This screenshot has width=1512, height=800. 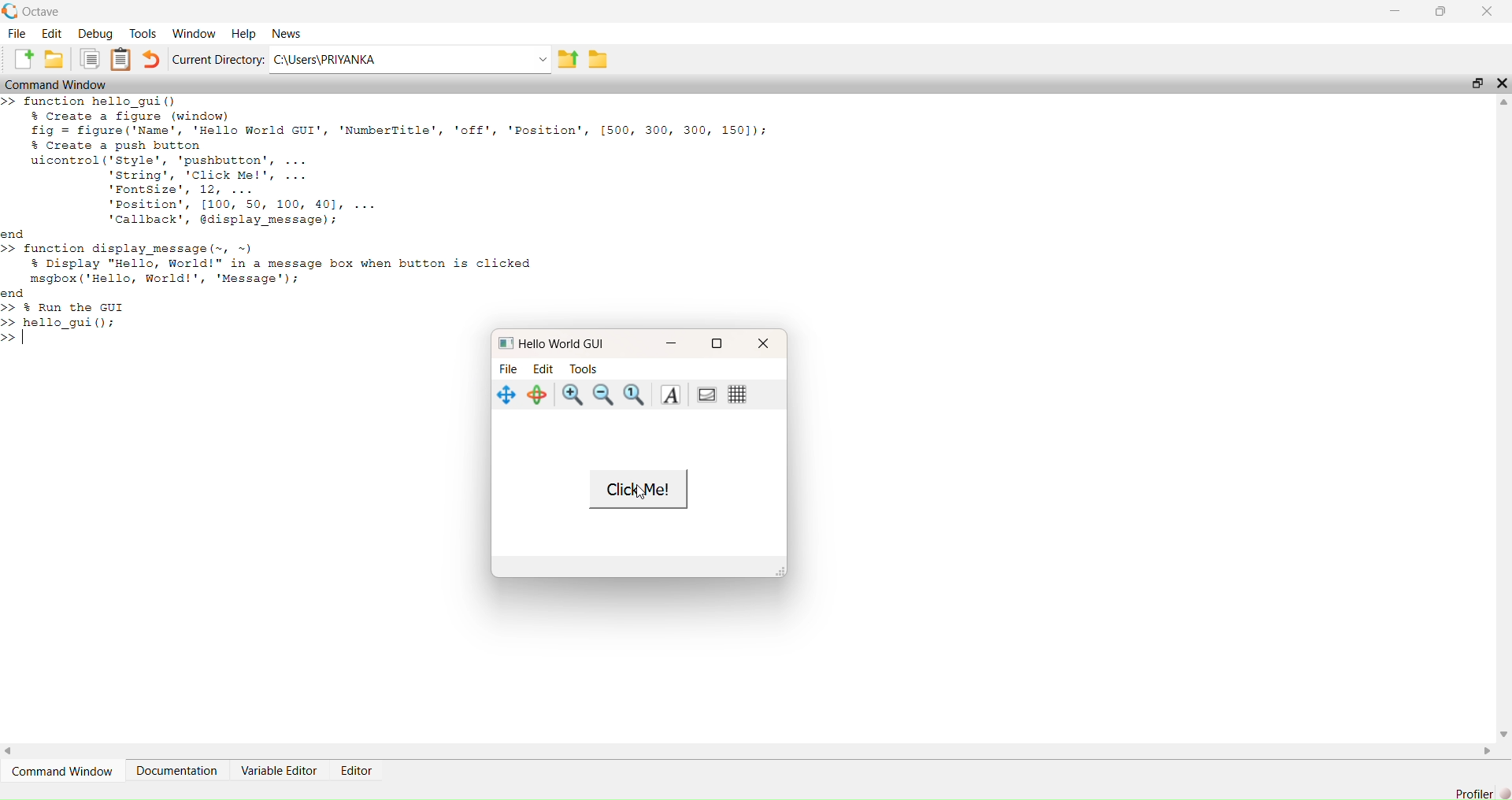 What do you see at coordinates (719, 345) in the screenshot?
I see `maximise` at bounding box center [719, 345].